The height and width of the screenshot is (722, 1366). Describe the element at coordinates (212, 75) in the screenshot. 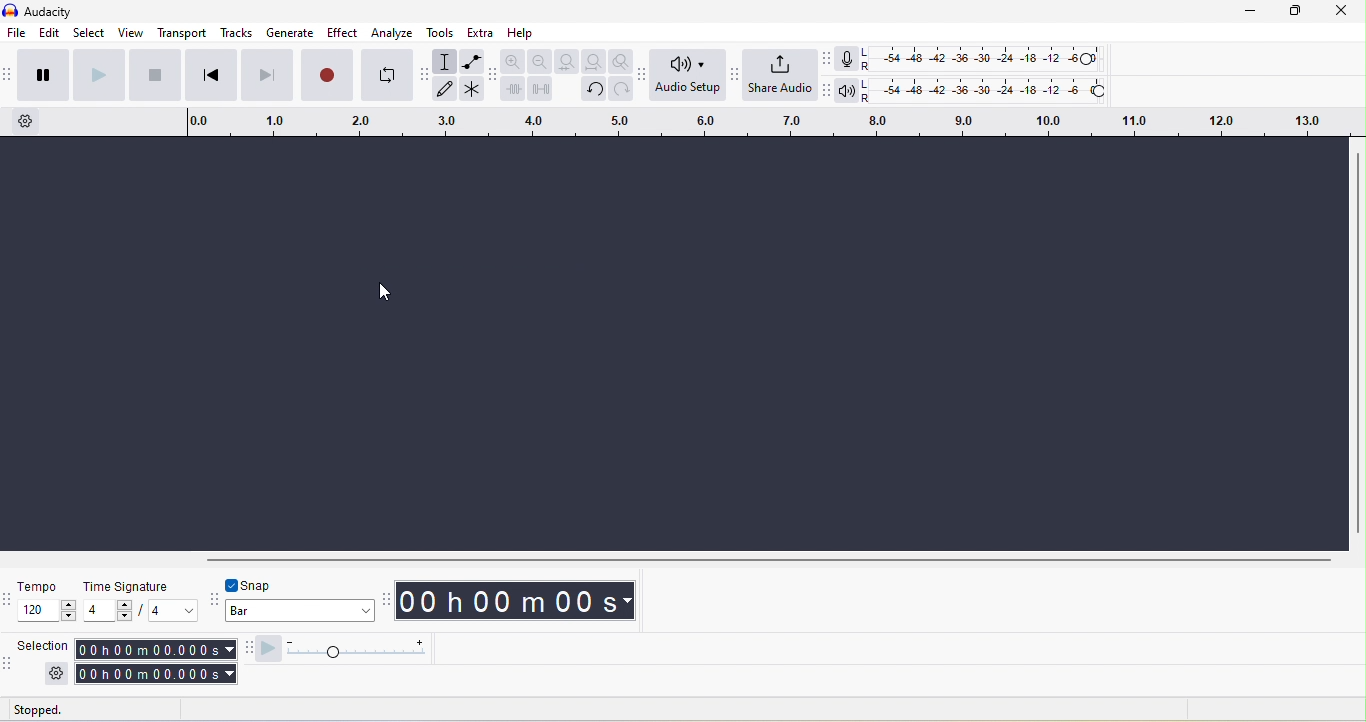

I see `skip to start` at that location.